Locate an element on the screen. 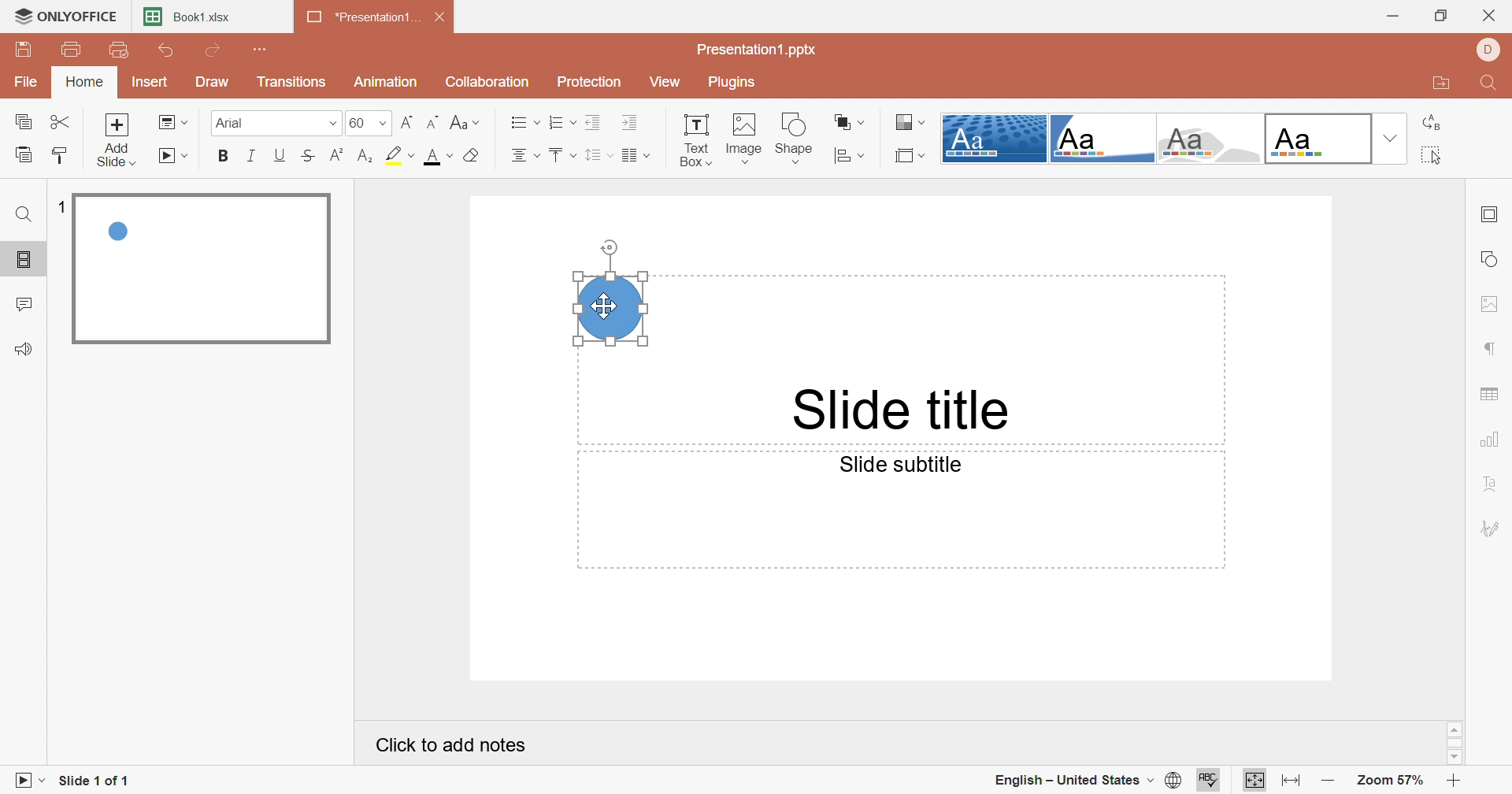 Image resolution: width=1512 pixels, height=794 pixels. Zoom in is located at coordinates (1455, 782).